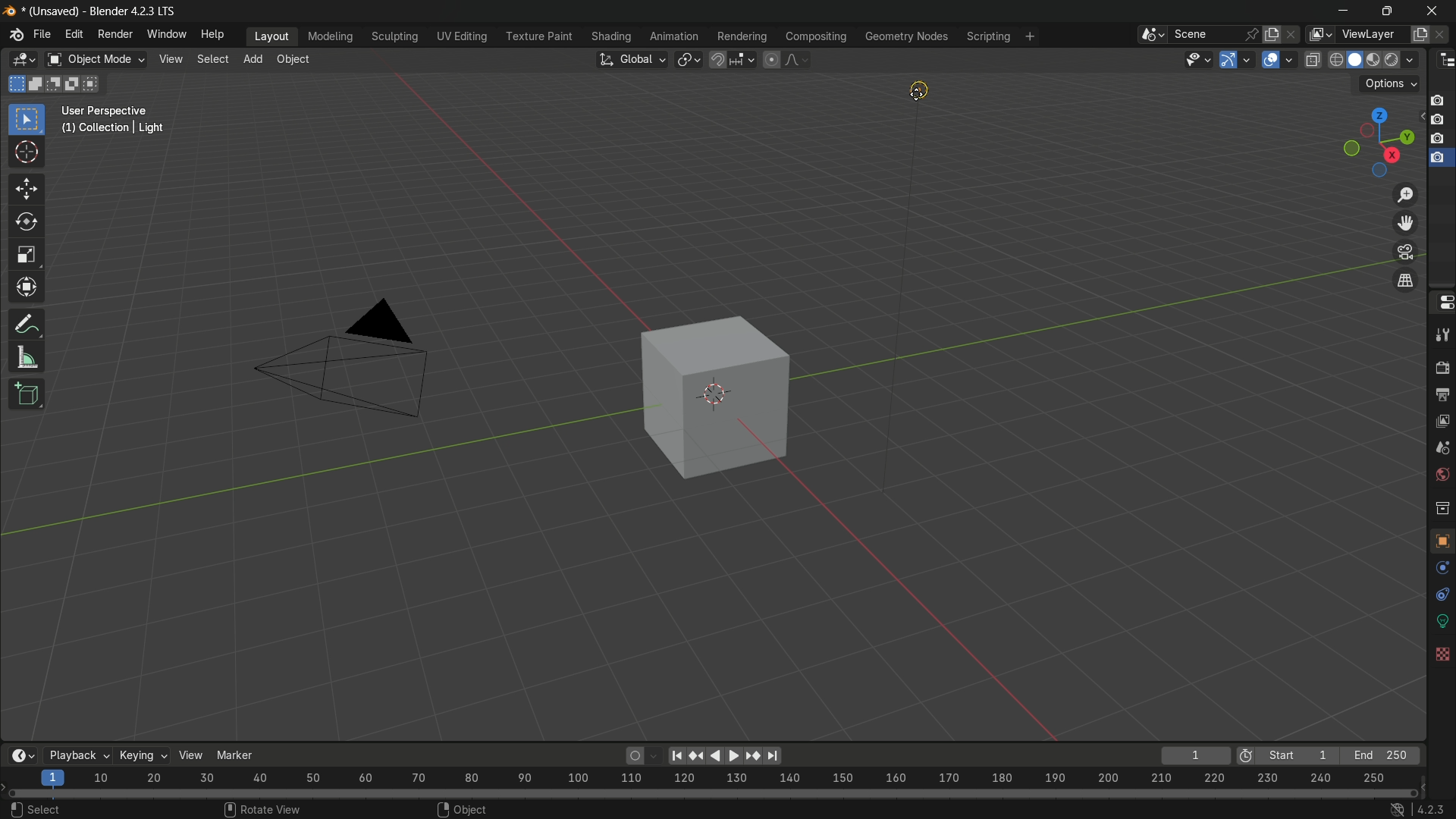  I want to click on object, so click(293, 60).